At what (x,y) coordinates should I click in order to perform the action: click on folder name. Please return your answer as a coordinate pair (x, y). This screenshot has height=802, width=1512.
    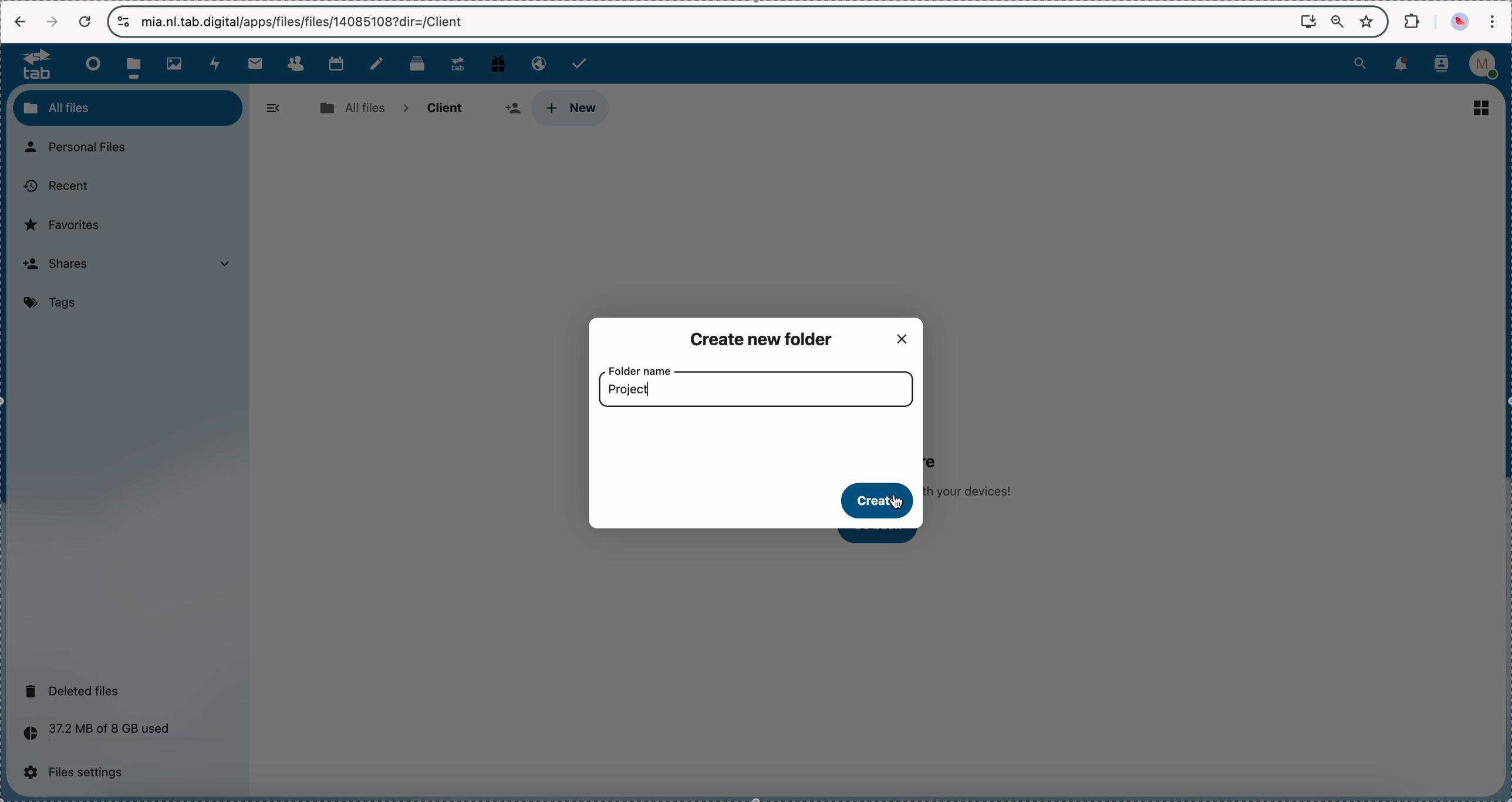
    Looking at the image, I should click on (642, 369).